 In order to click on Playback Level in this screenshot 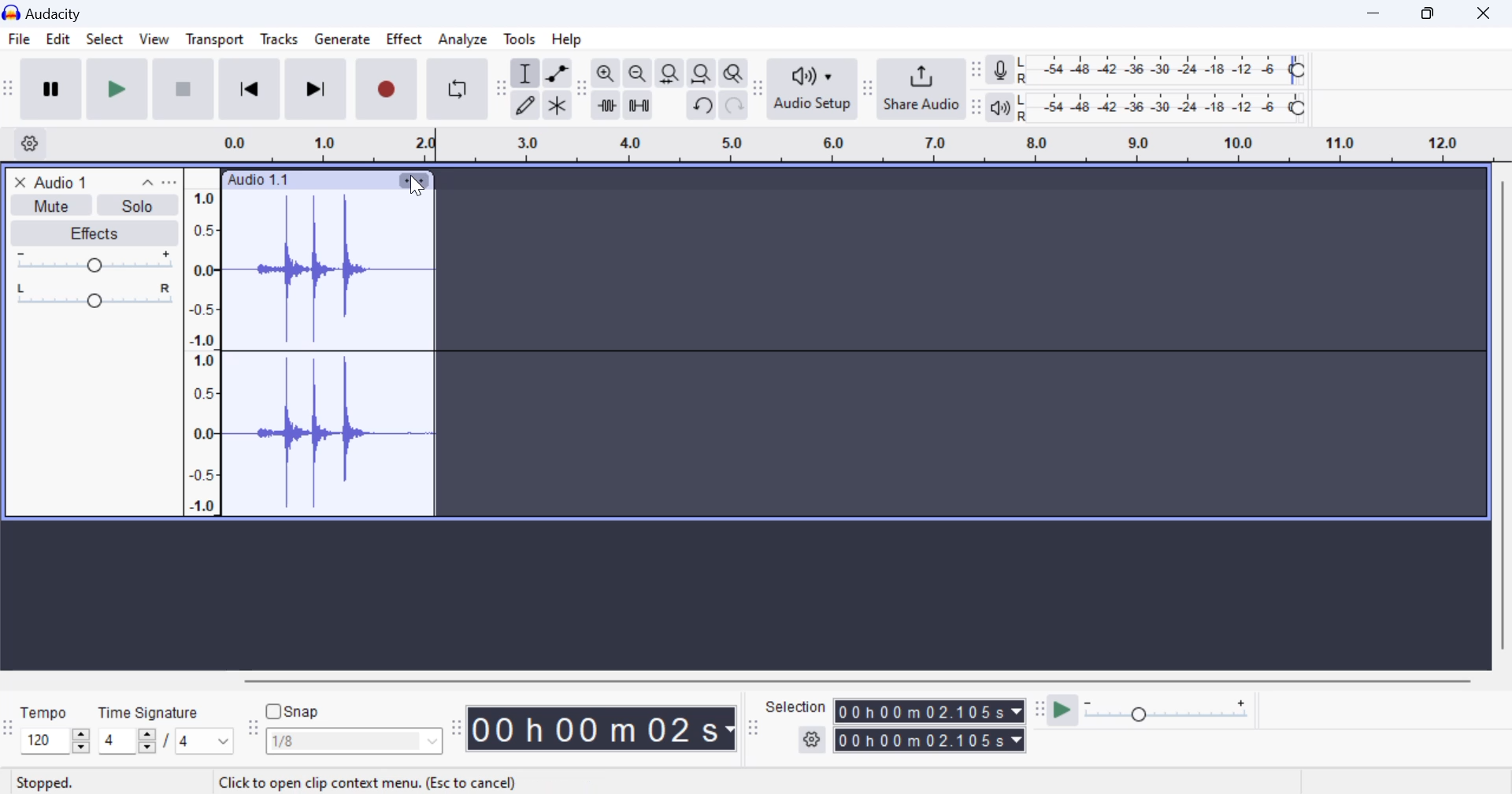, I will do `click(1162, 108)`.